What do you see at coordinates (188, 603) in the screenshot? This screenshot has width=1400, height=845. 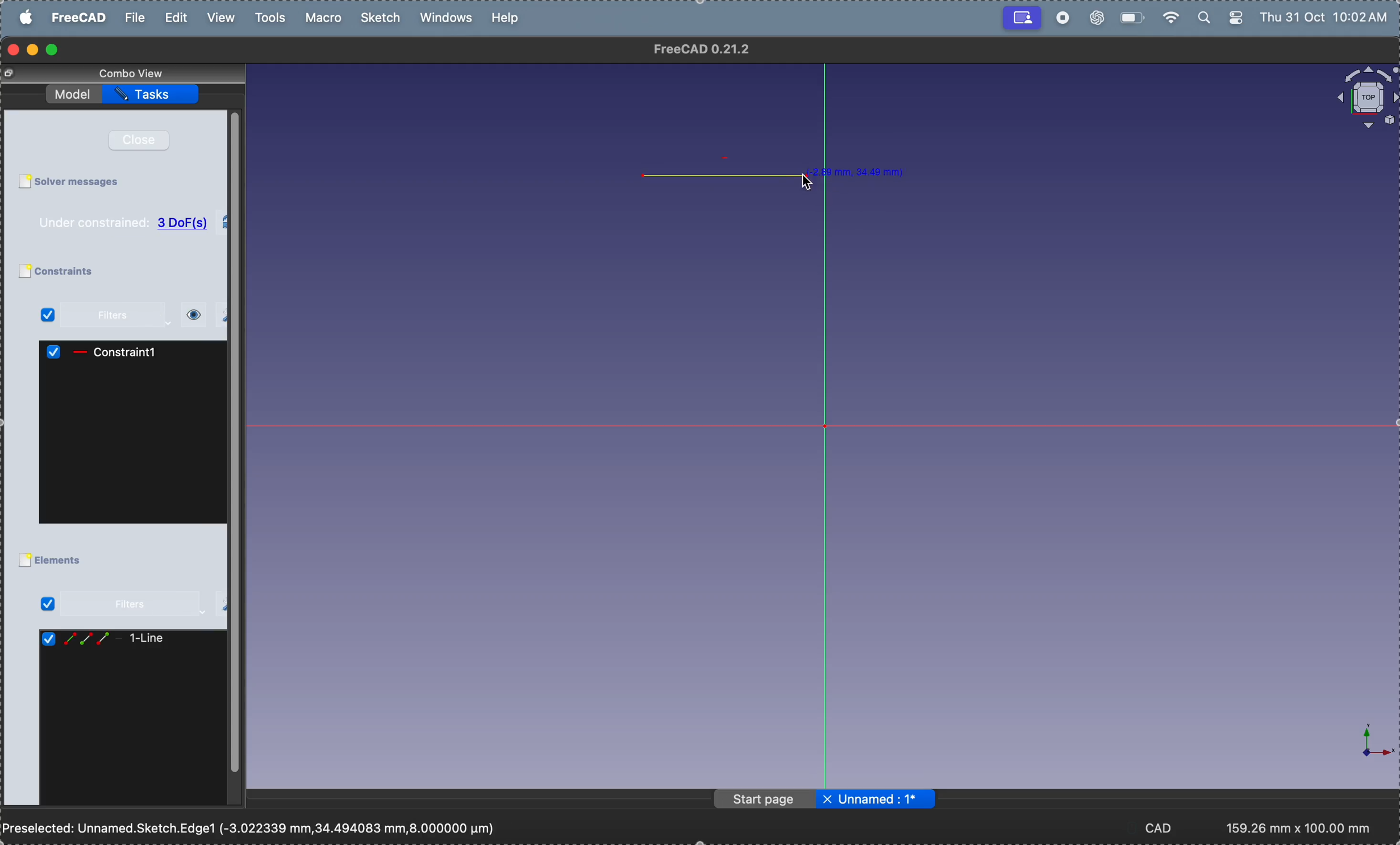 I see `settings` at bounding box center [188, 603].